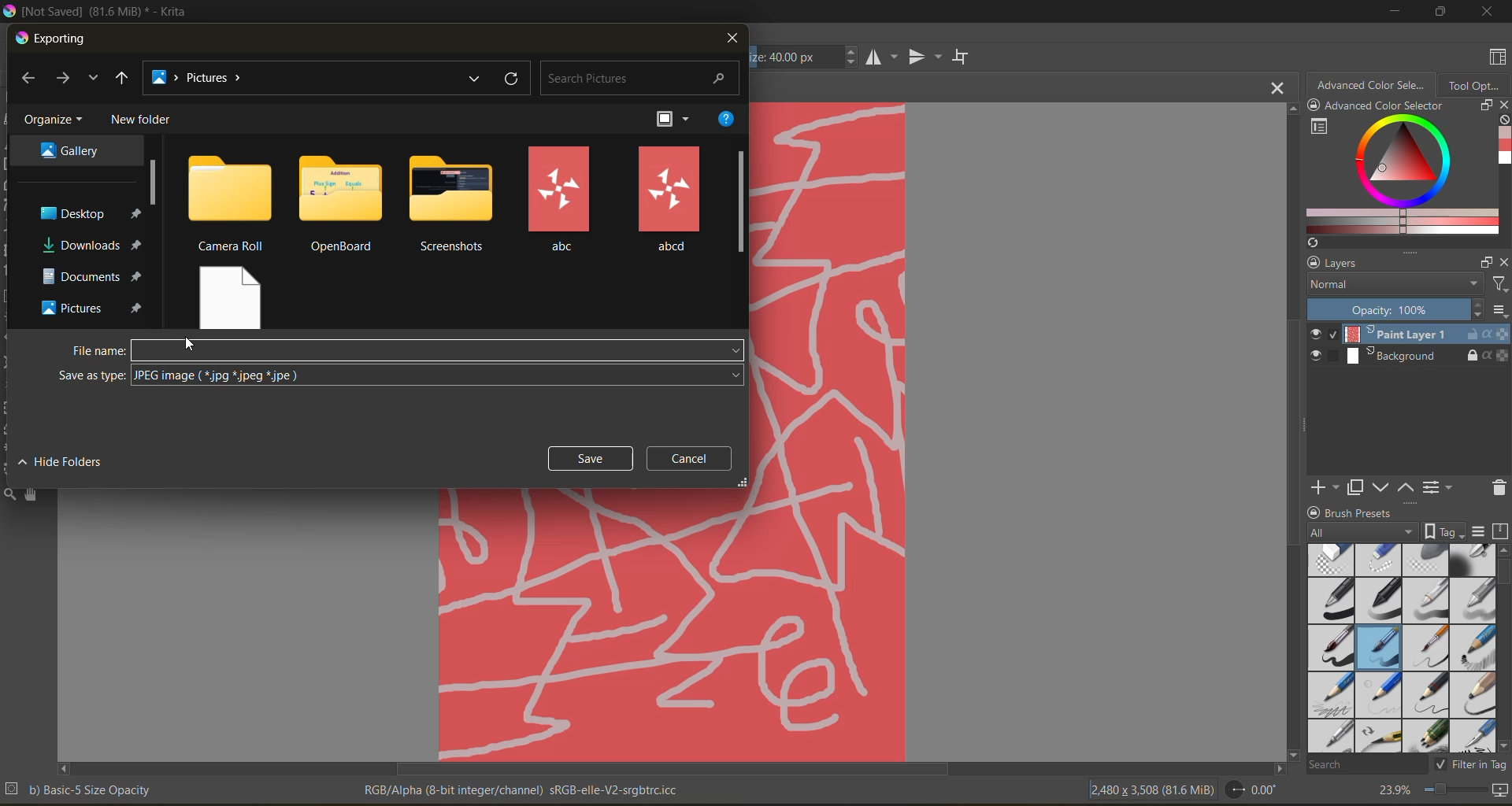  Describe the element at coordinates (1468, 763) in the screenshot. I see `filter tag` at that location.